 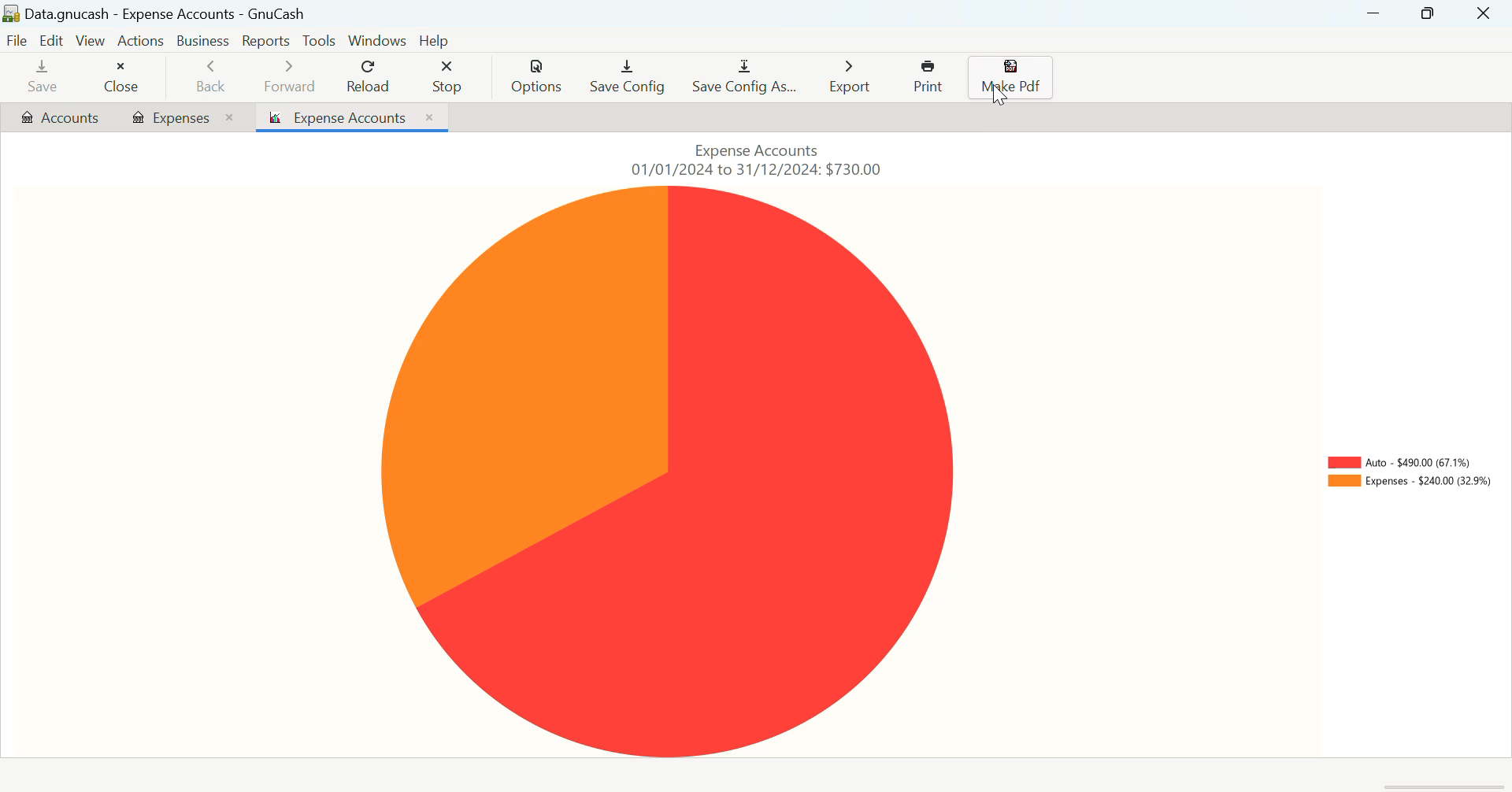 What do you see at coordinates (746, 77) in the screenshot?
I see `Save Config As` at bounding box center [746, 77].